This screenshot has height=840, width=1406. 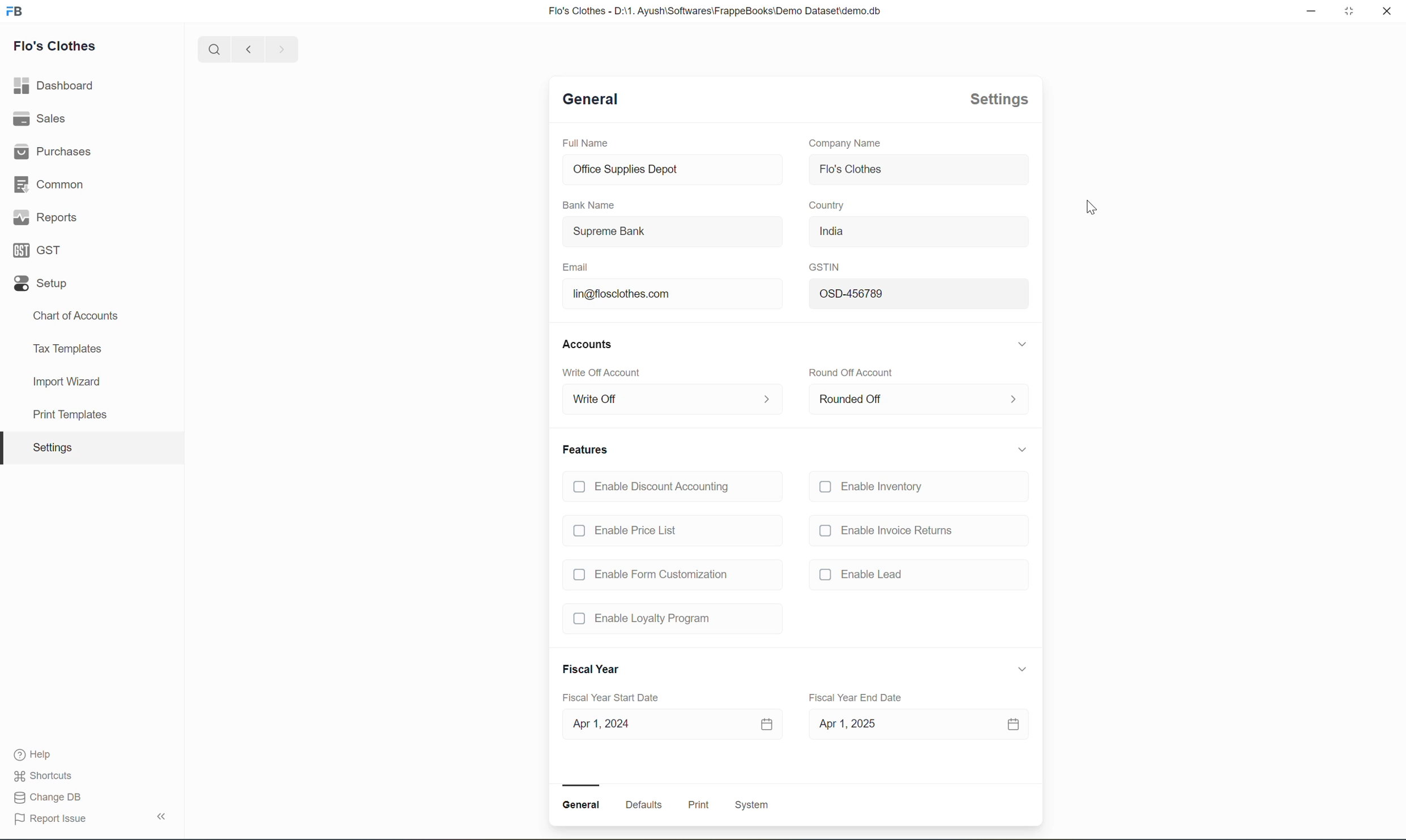 What do you see at coordinates (672, 400) in the screenshot?
I see `Write Off` at bounding box center [672, 400].